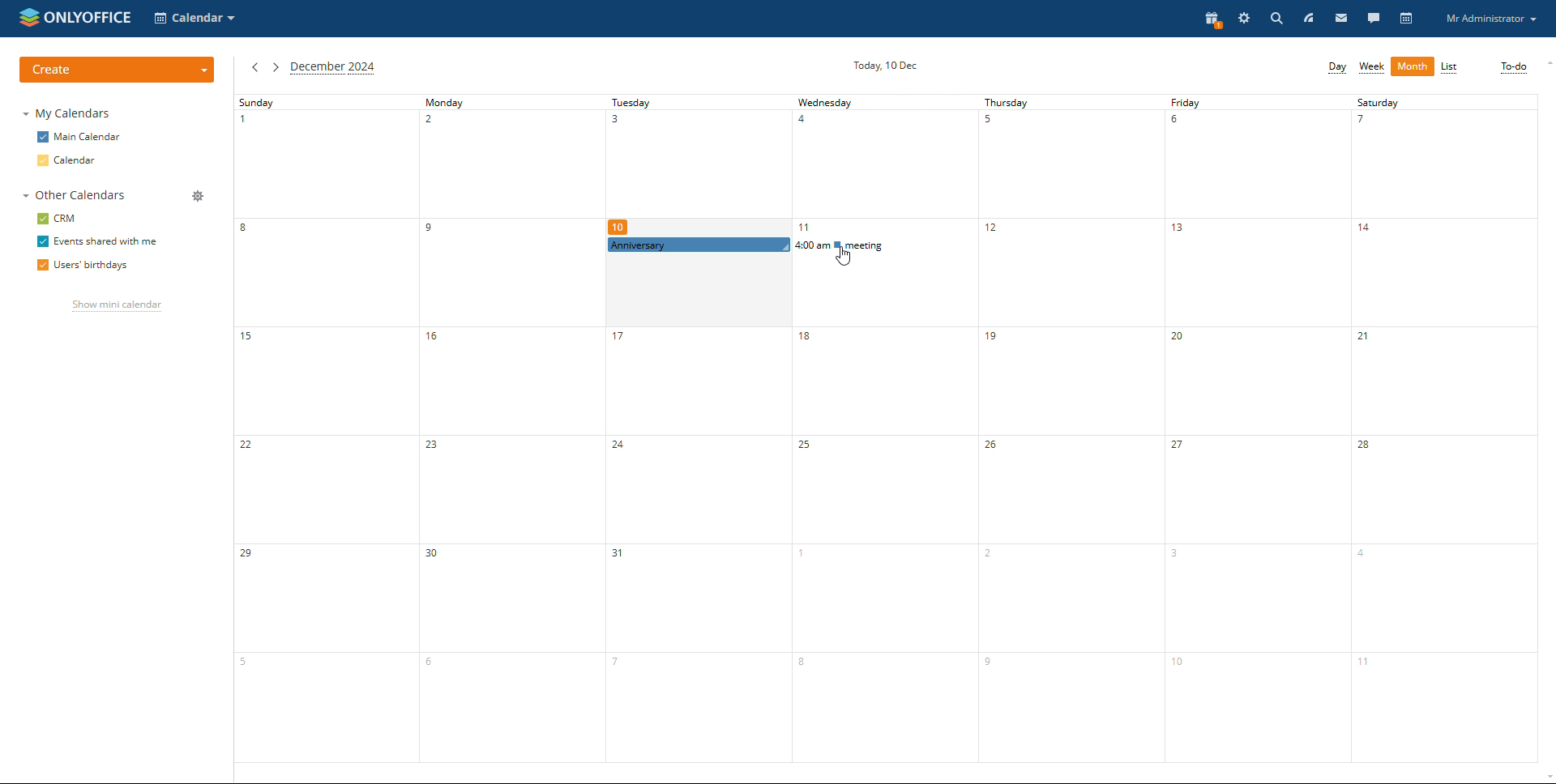  Describe the element at coordinates (1068, 428) in the screenshot. I see `thursday` at that location.